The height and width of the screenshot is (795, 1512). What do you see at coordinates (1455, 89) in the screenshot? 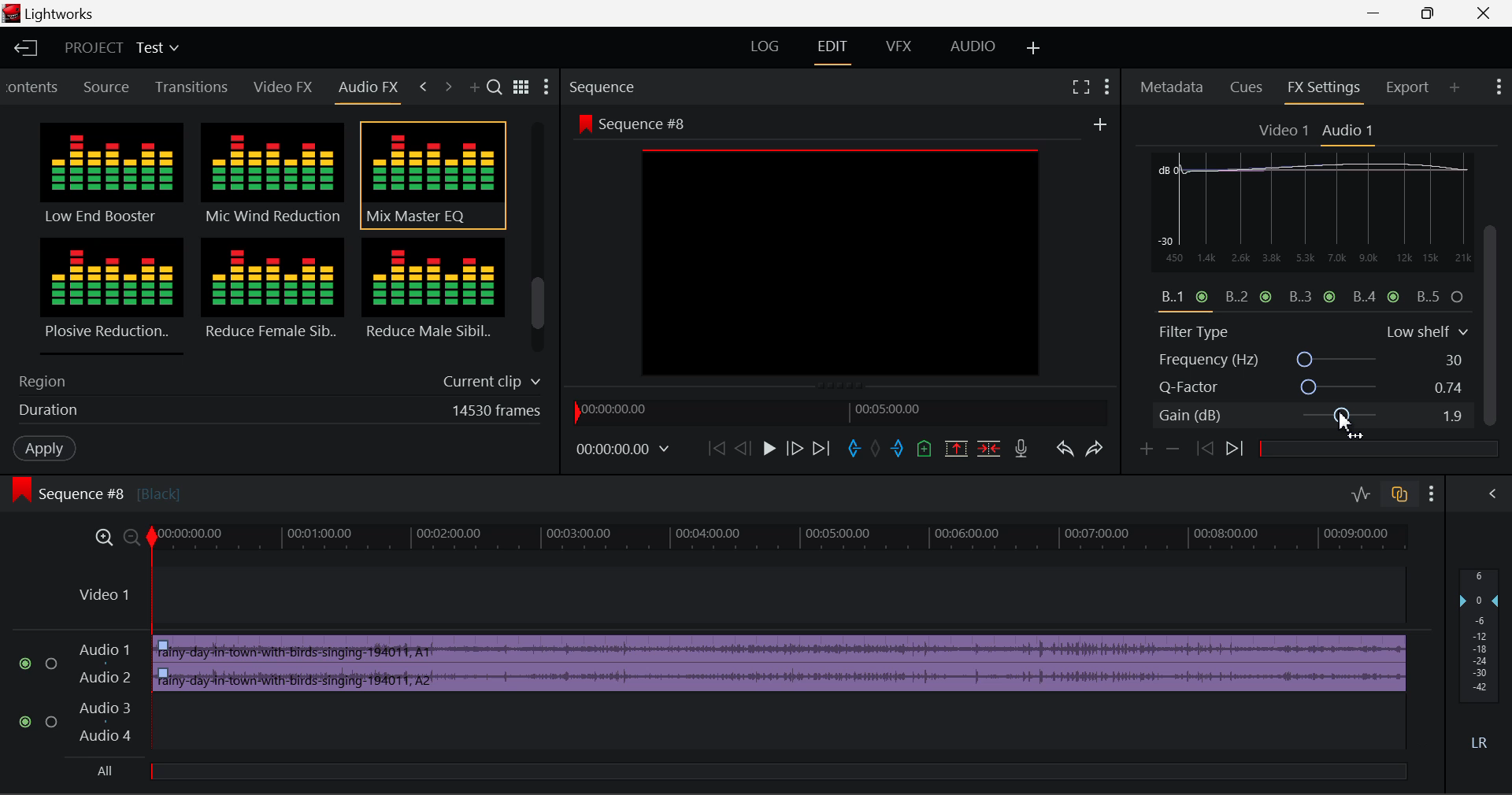
I see `Add Panel` at bounding box center [1455, 89].